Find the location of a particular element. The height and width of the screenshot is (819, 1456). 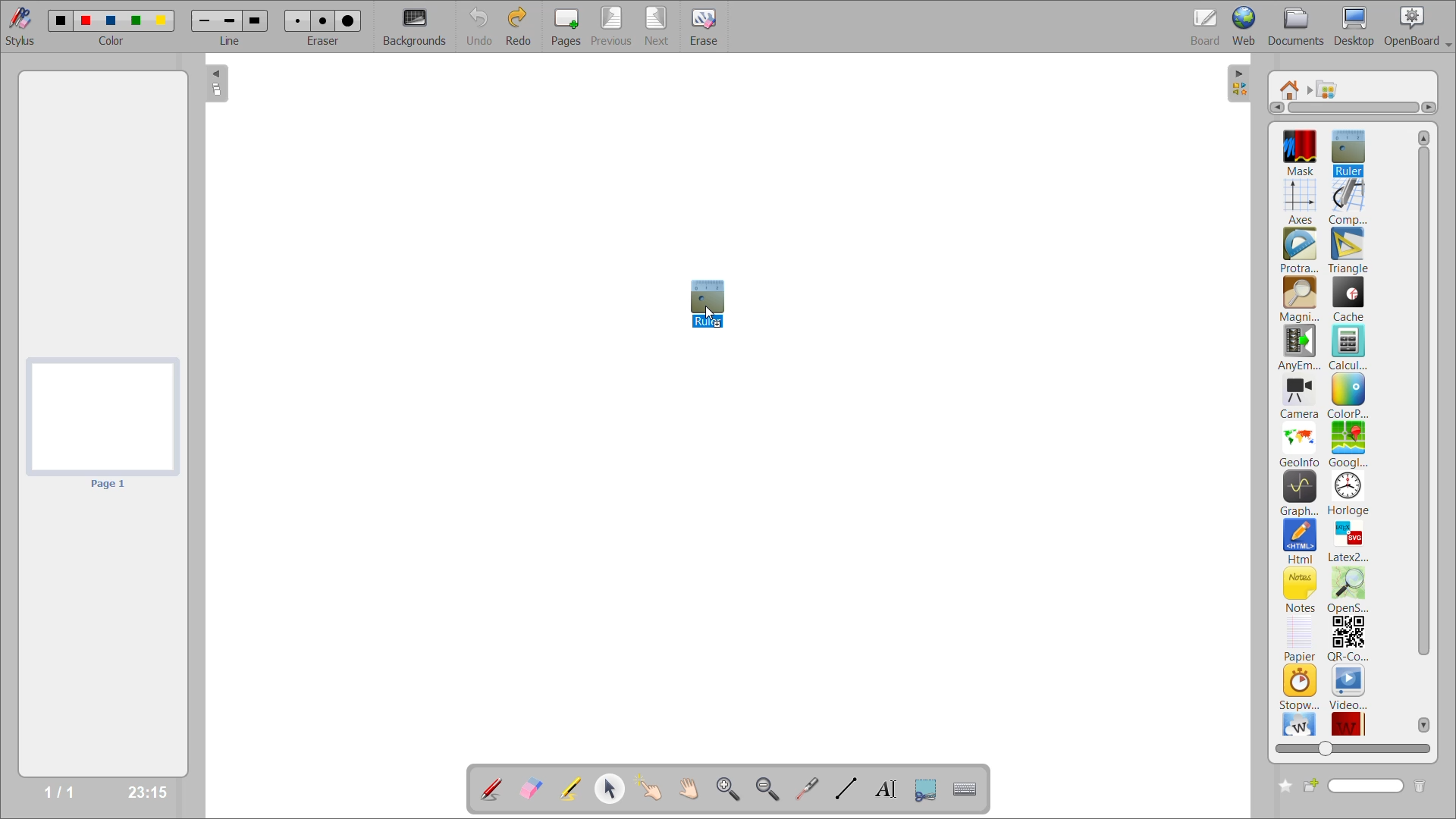

pages is located at coordinates (570, 24).